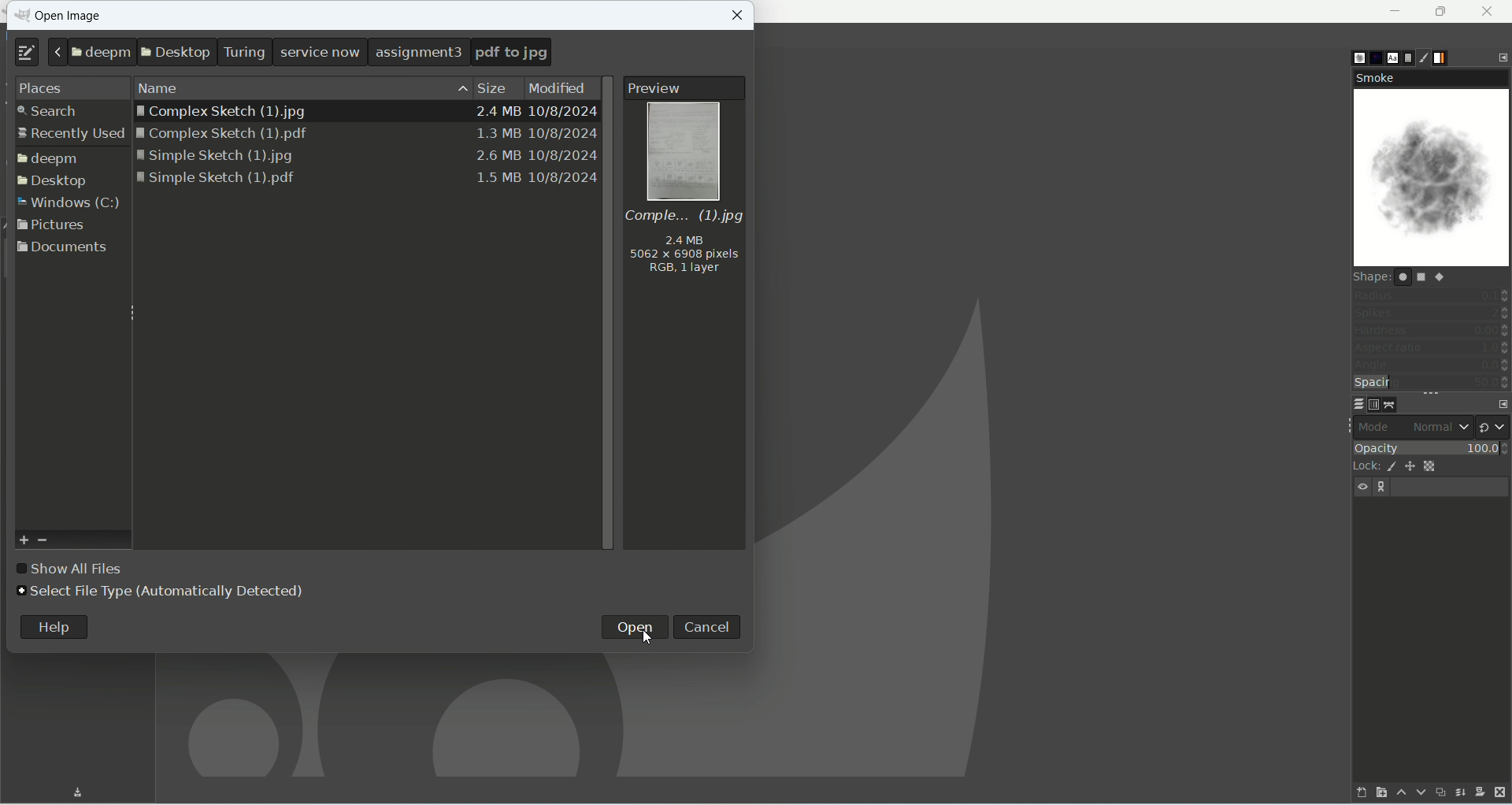  I want to click on pictures, so click(54, 227).